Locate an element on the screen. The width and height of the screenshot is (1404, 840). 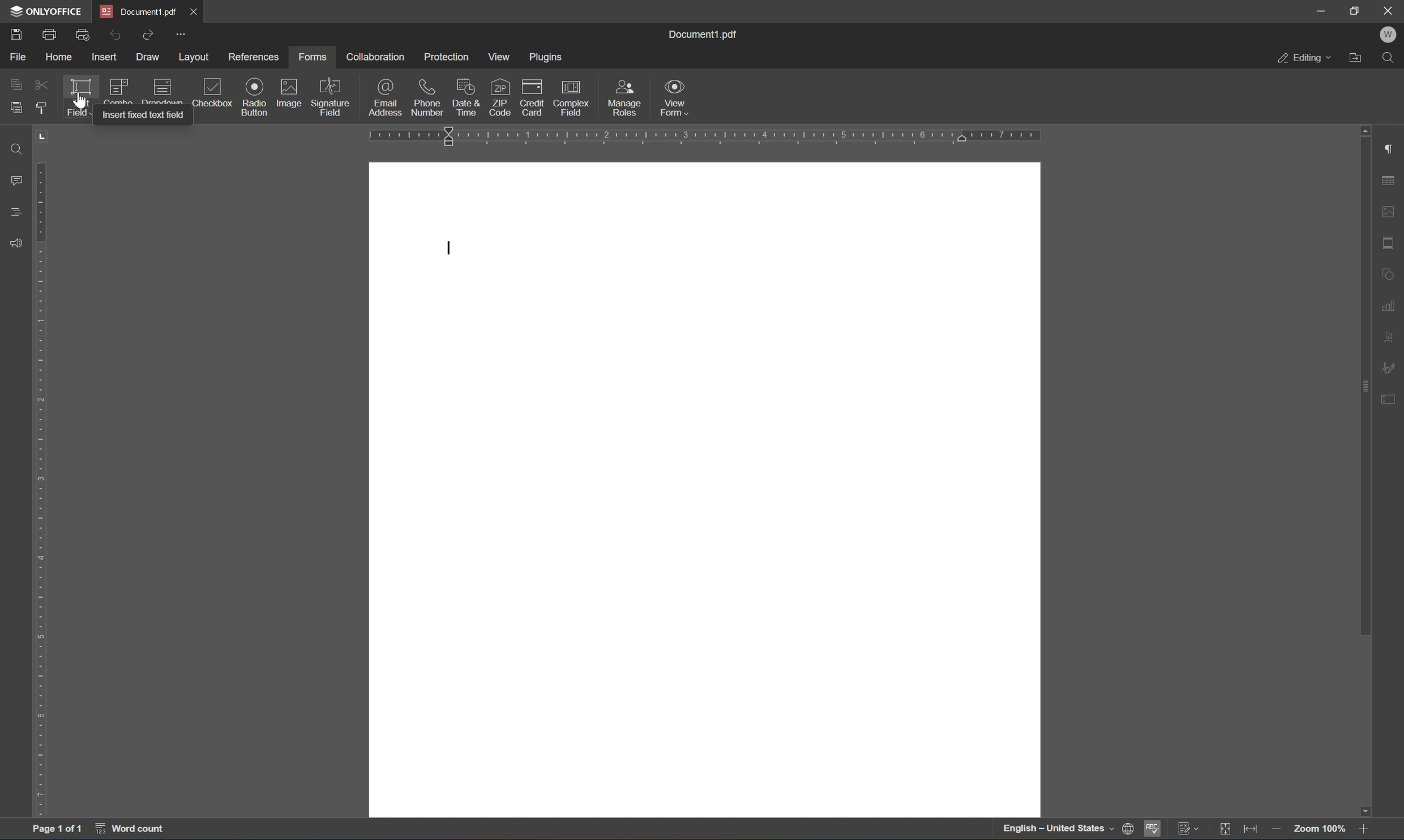
signature settings is located at coordinates (1390, 368).